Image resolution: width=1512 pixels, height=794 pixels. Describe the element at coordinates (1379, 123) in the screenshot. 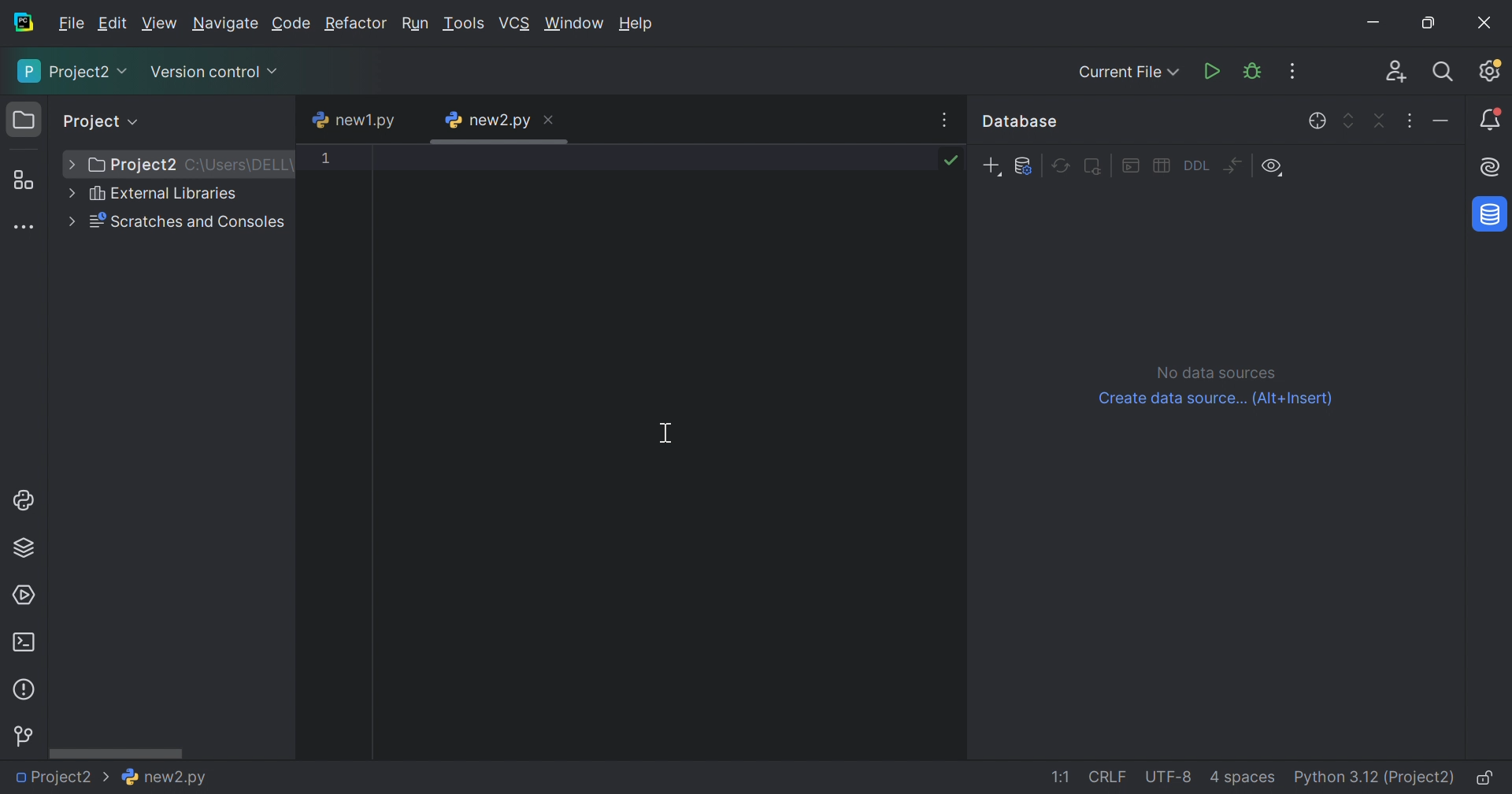

I see `Collapse all` at that location.